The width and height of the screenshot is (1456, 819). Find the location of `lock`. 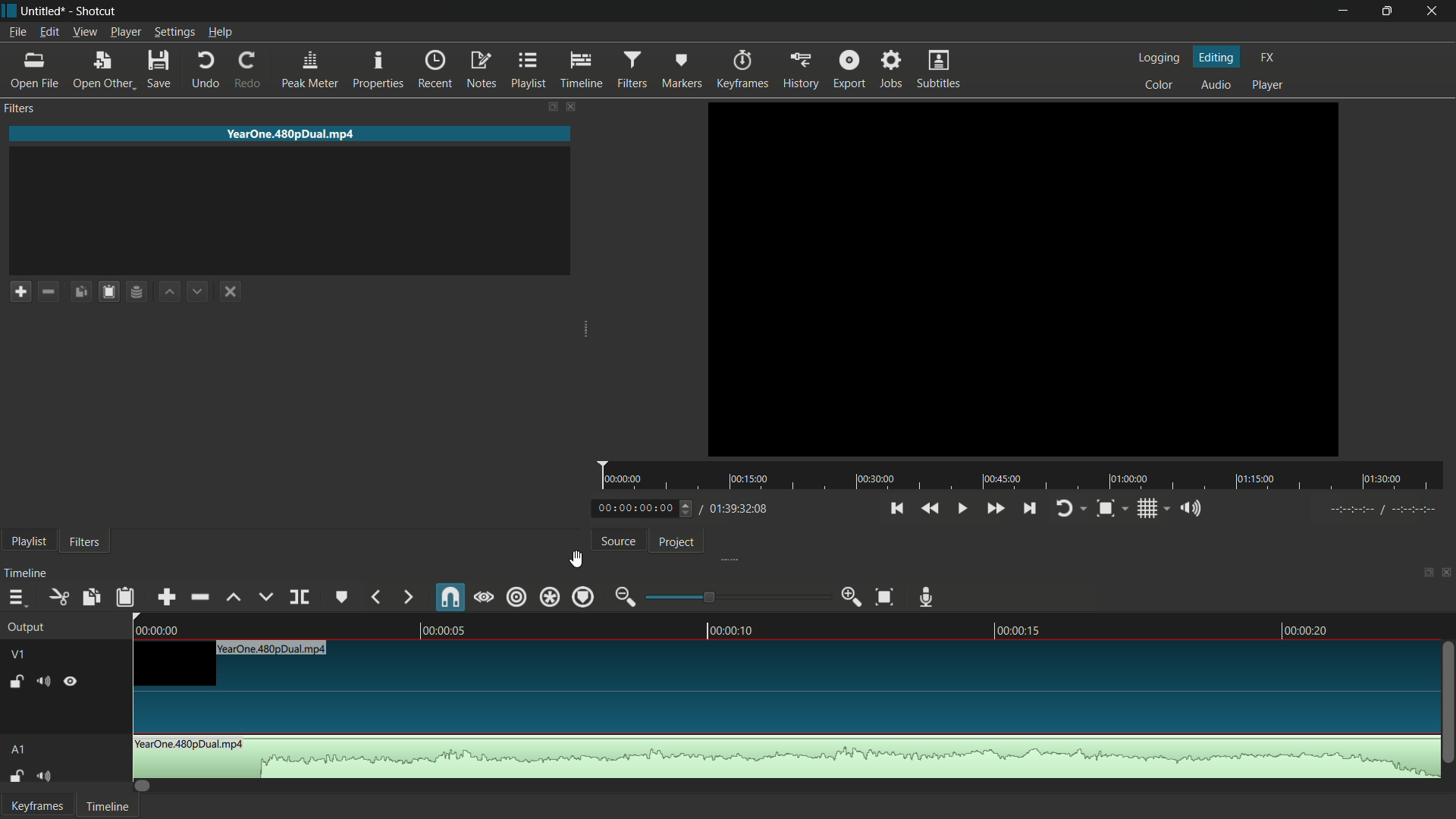

lock is located at coordinates (14, 777).